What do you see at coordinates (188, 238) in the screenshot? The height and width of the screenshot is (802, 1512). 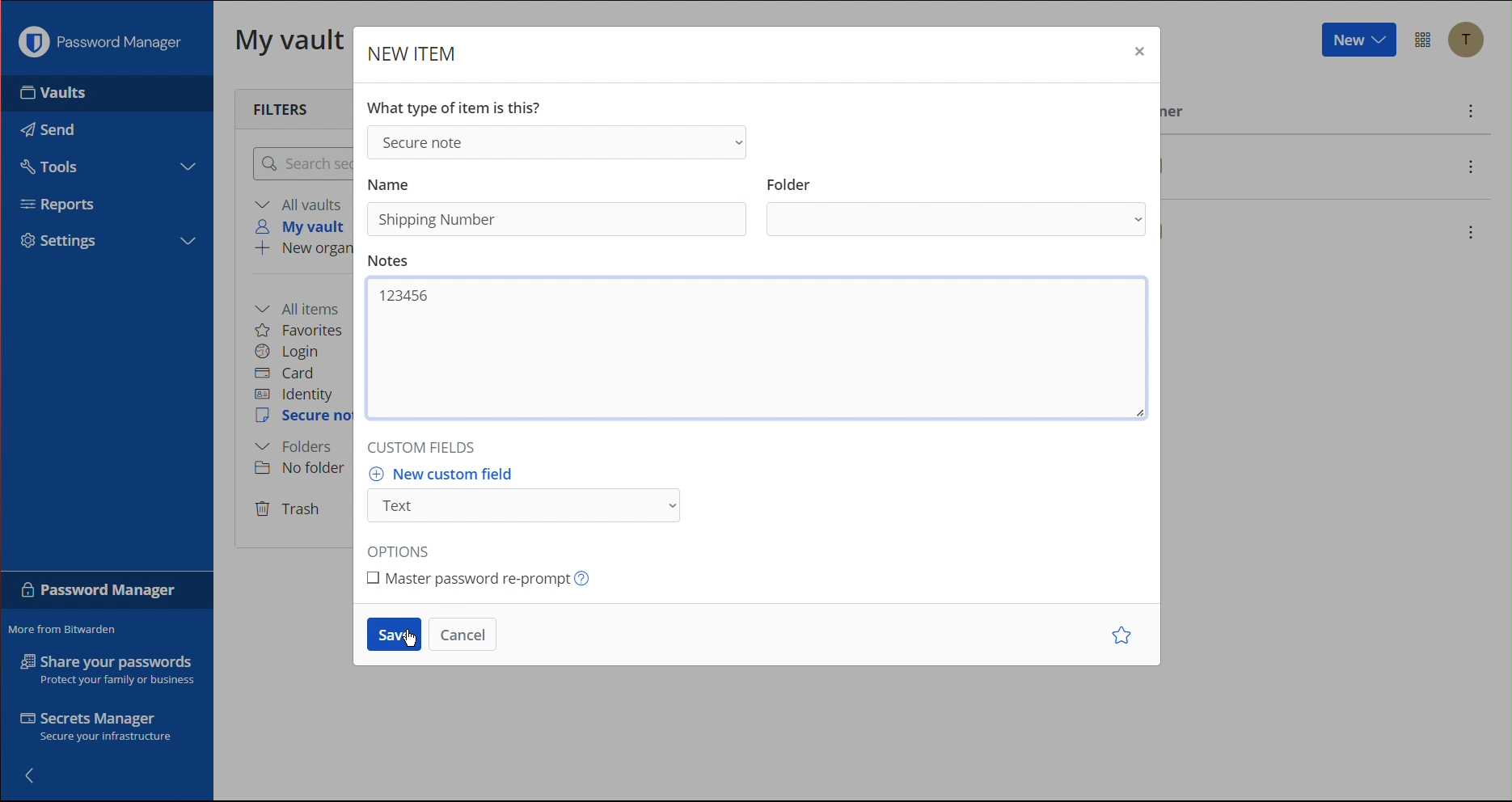 I see `expand/collapse` at bounding box center [188, 238].